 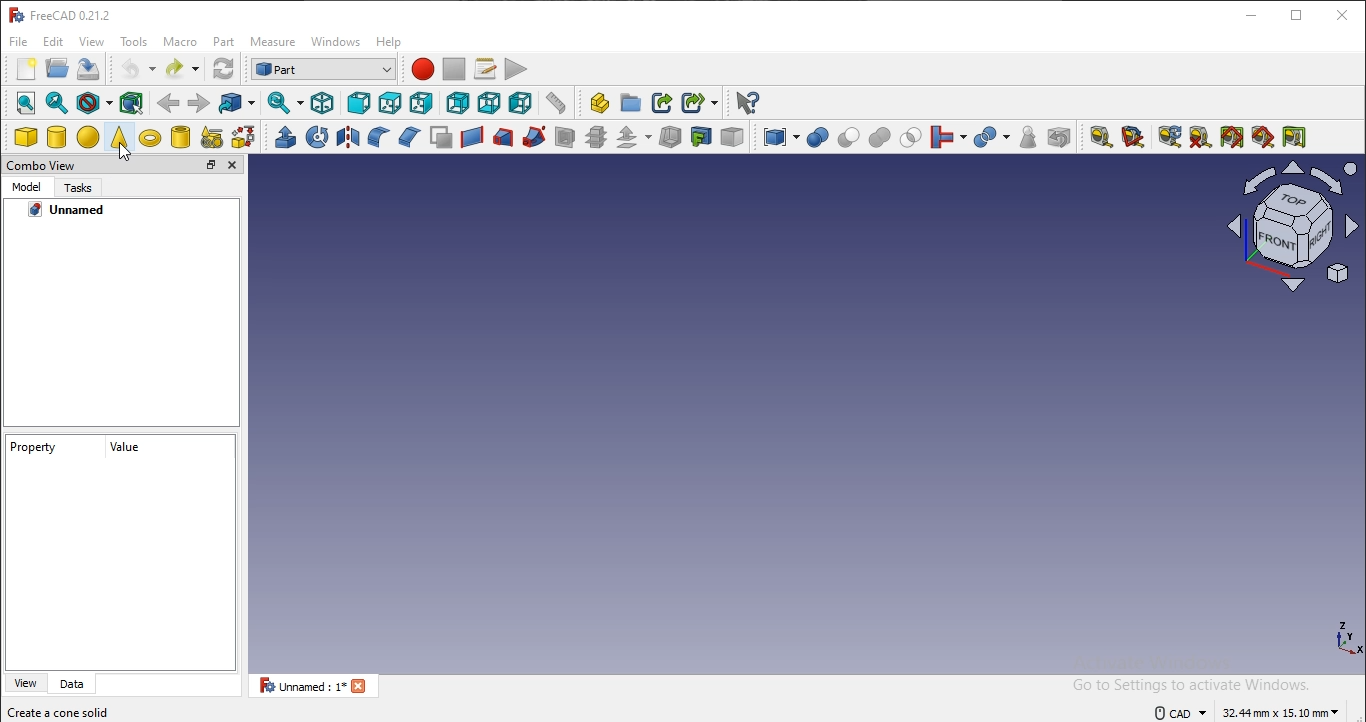 I want to click on split objects, so click(x=987, y=137).